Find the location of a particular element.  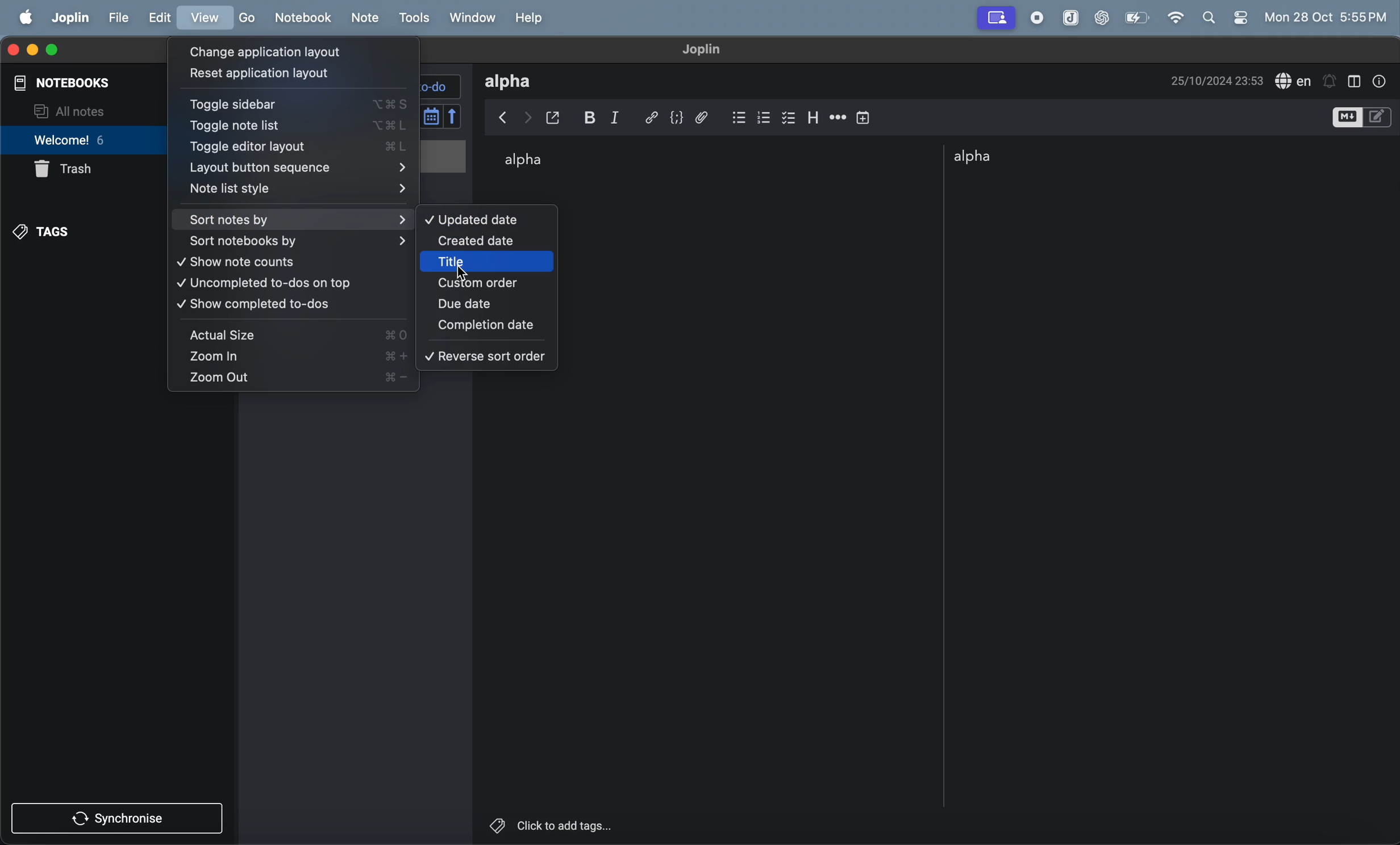

sort notebooks by is located at coordinates (295, 241).